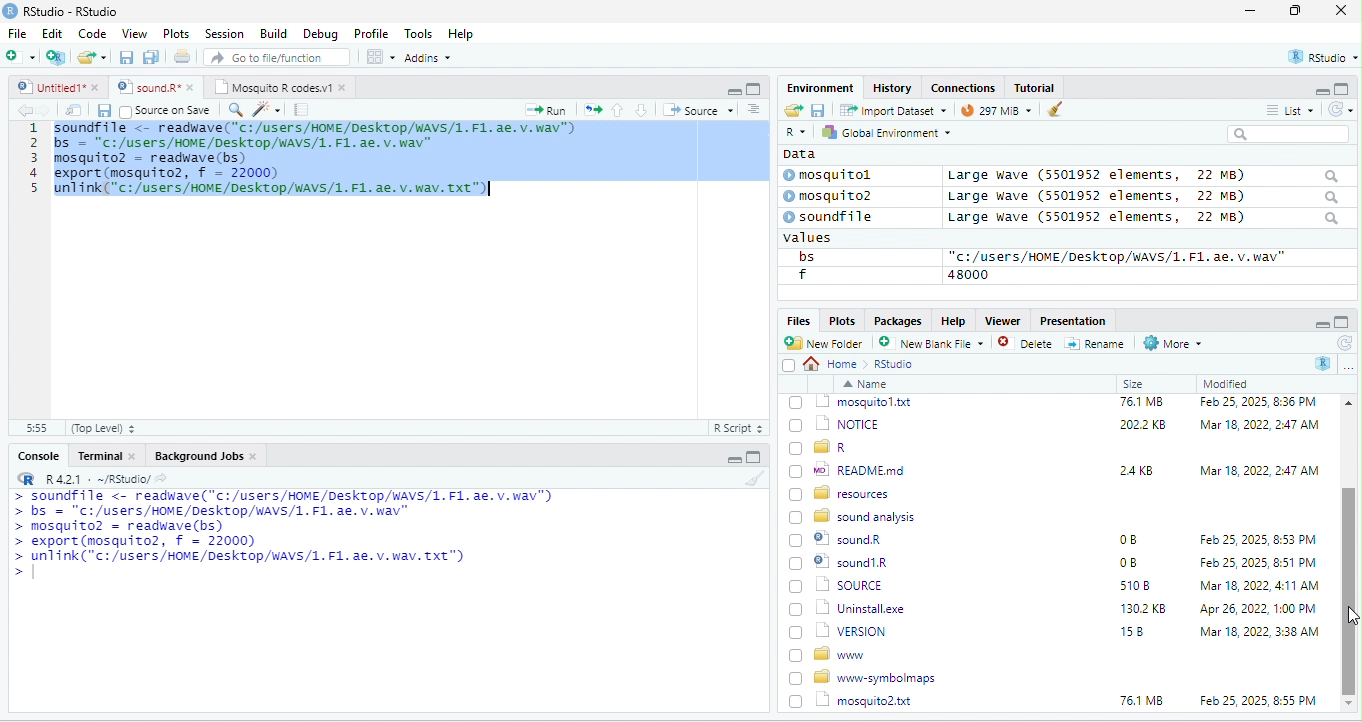 The image size is (1362, 722). Describe the element at coordinates (820, 87) in the screenshot. I see `Environment` at that location.